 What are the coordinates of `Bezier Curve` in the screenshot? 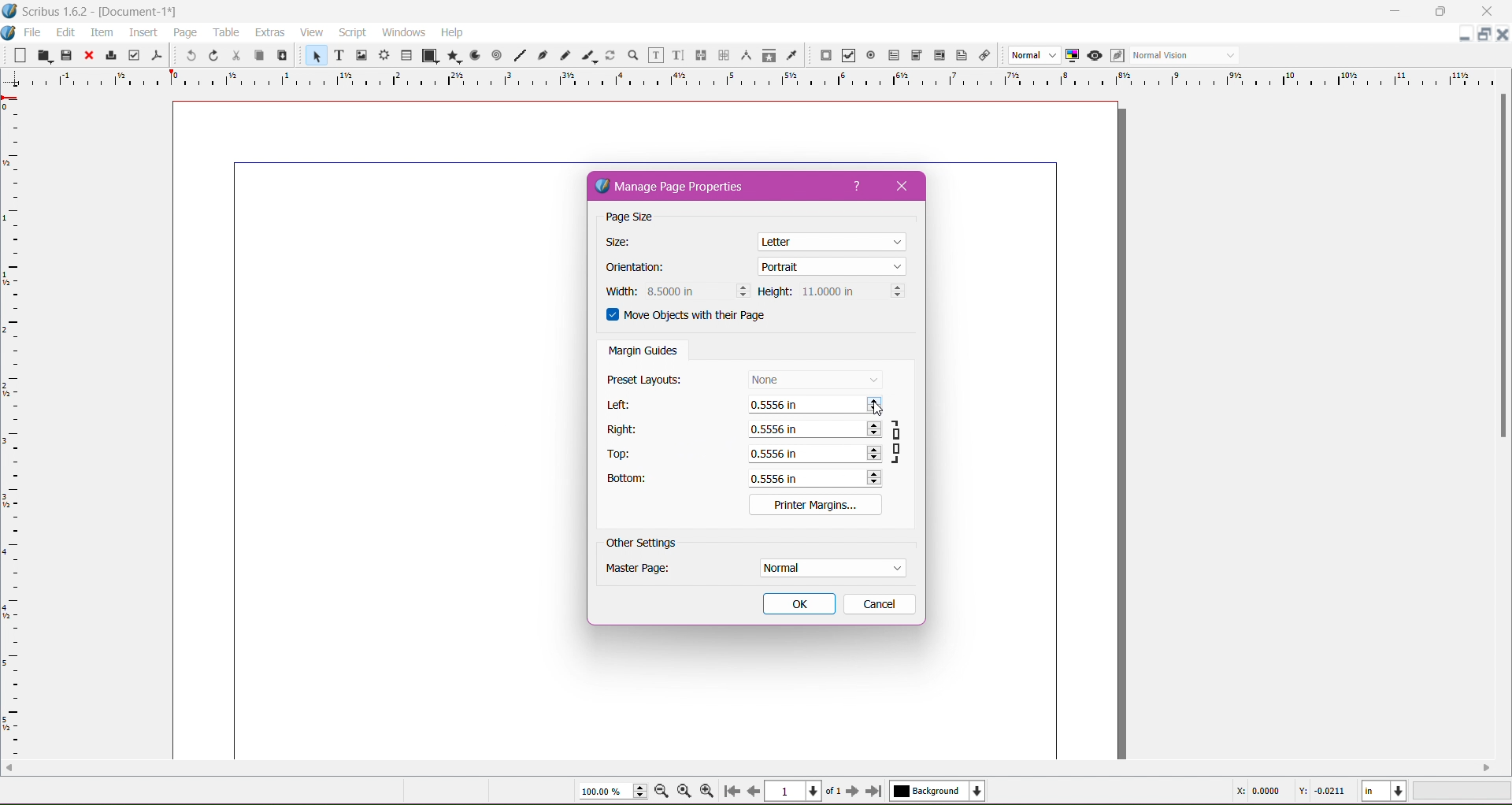 It's located at (544, 56).